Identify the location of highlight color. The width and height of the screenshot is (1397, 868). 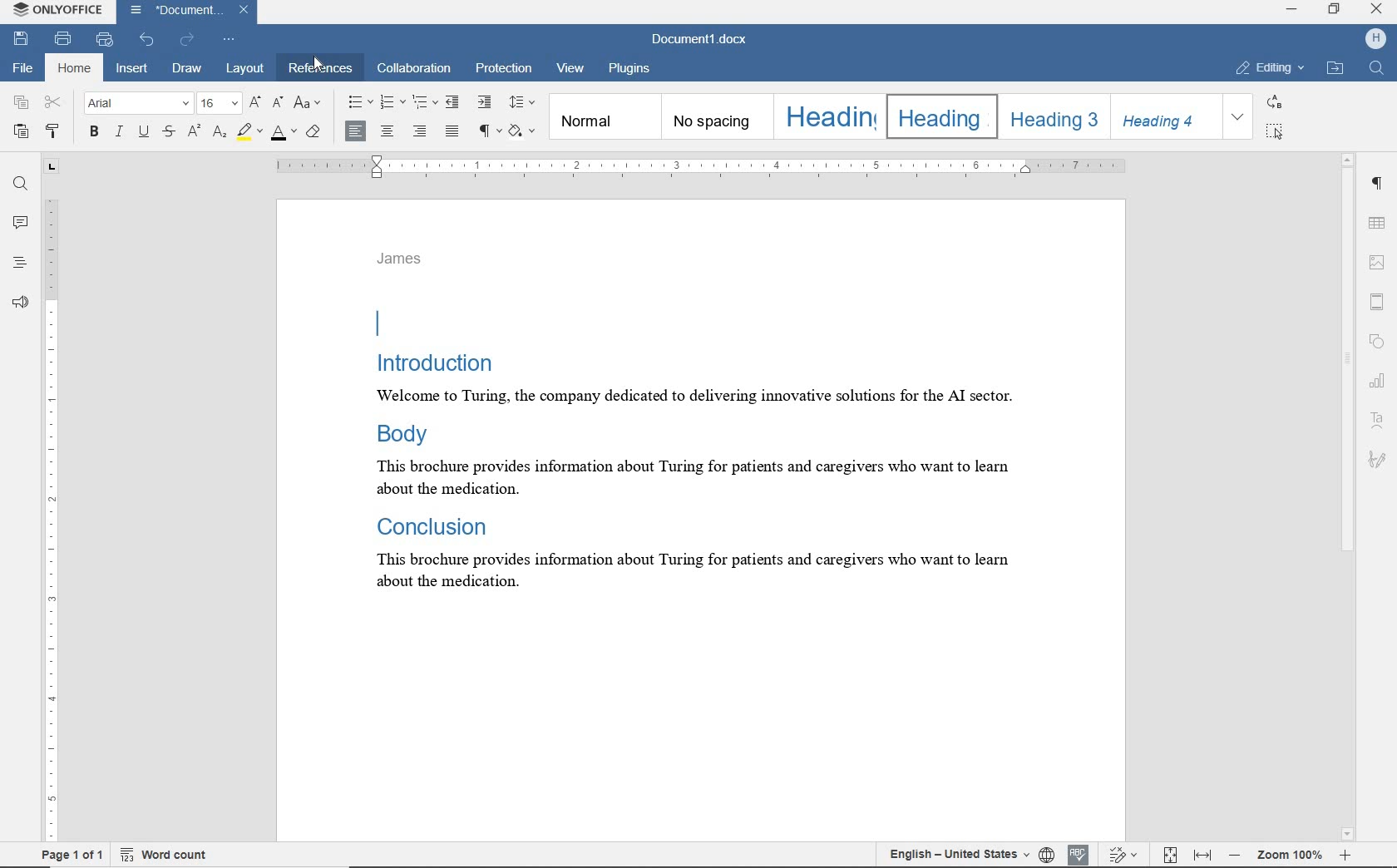
(251, 133).